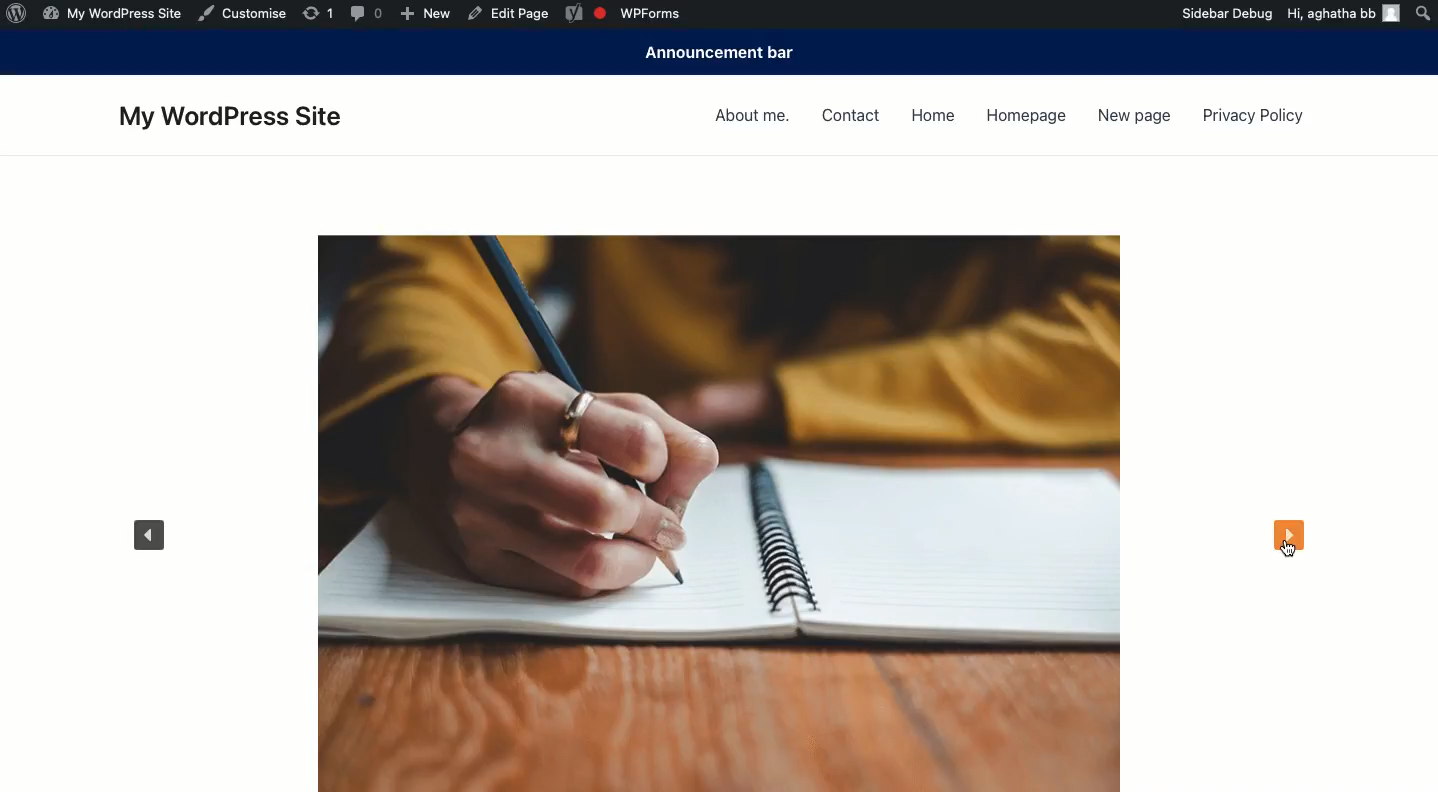 The height and width of the screenshot is (792, 1438). What do you see at coordinates (368, 14) in the screenshot?
I see `comments` at bounding box center [368, 14].